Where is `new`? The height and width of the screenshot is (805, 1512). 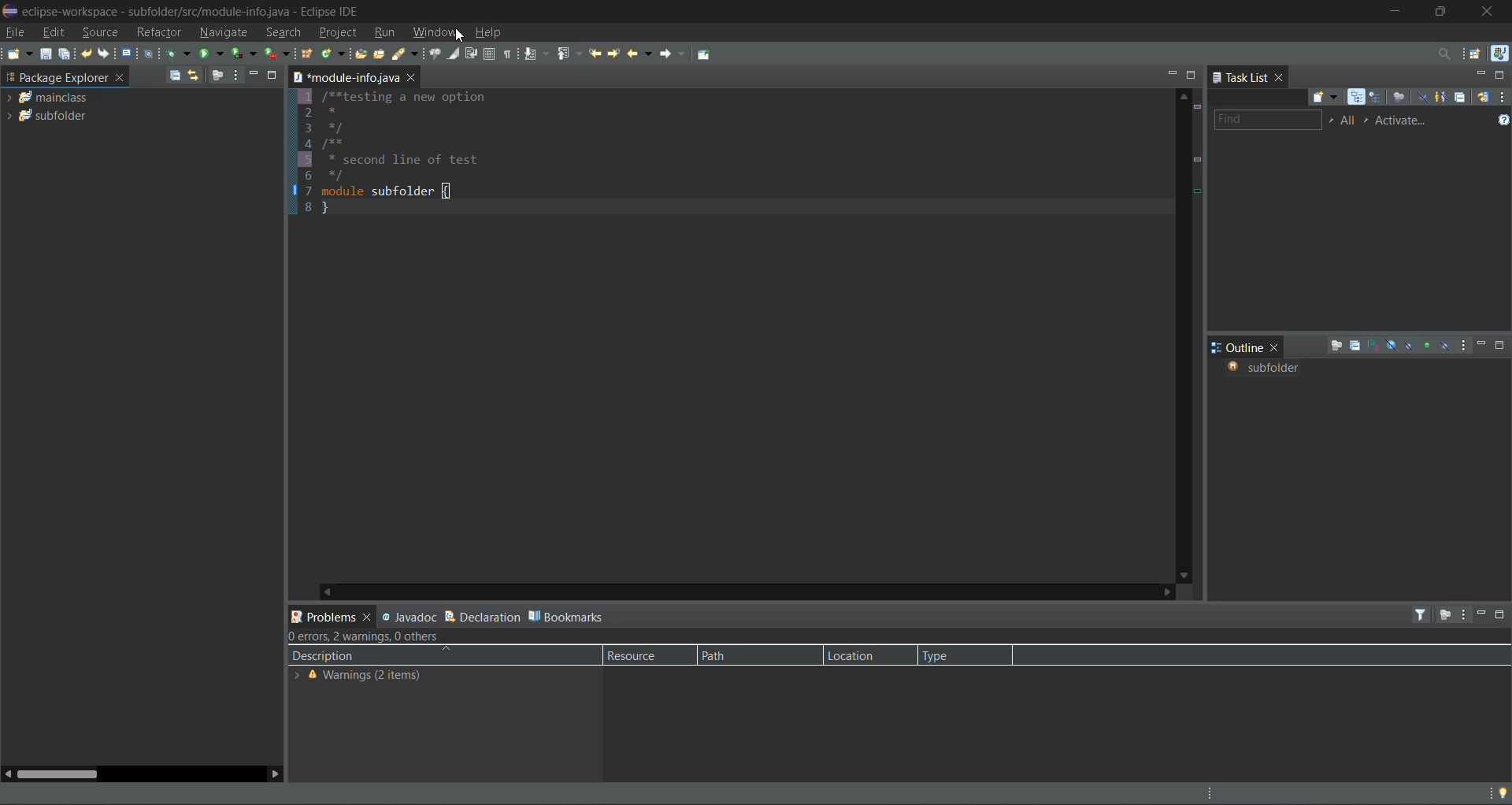
new is located at coordinates (17, 54).